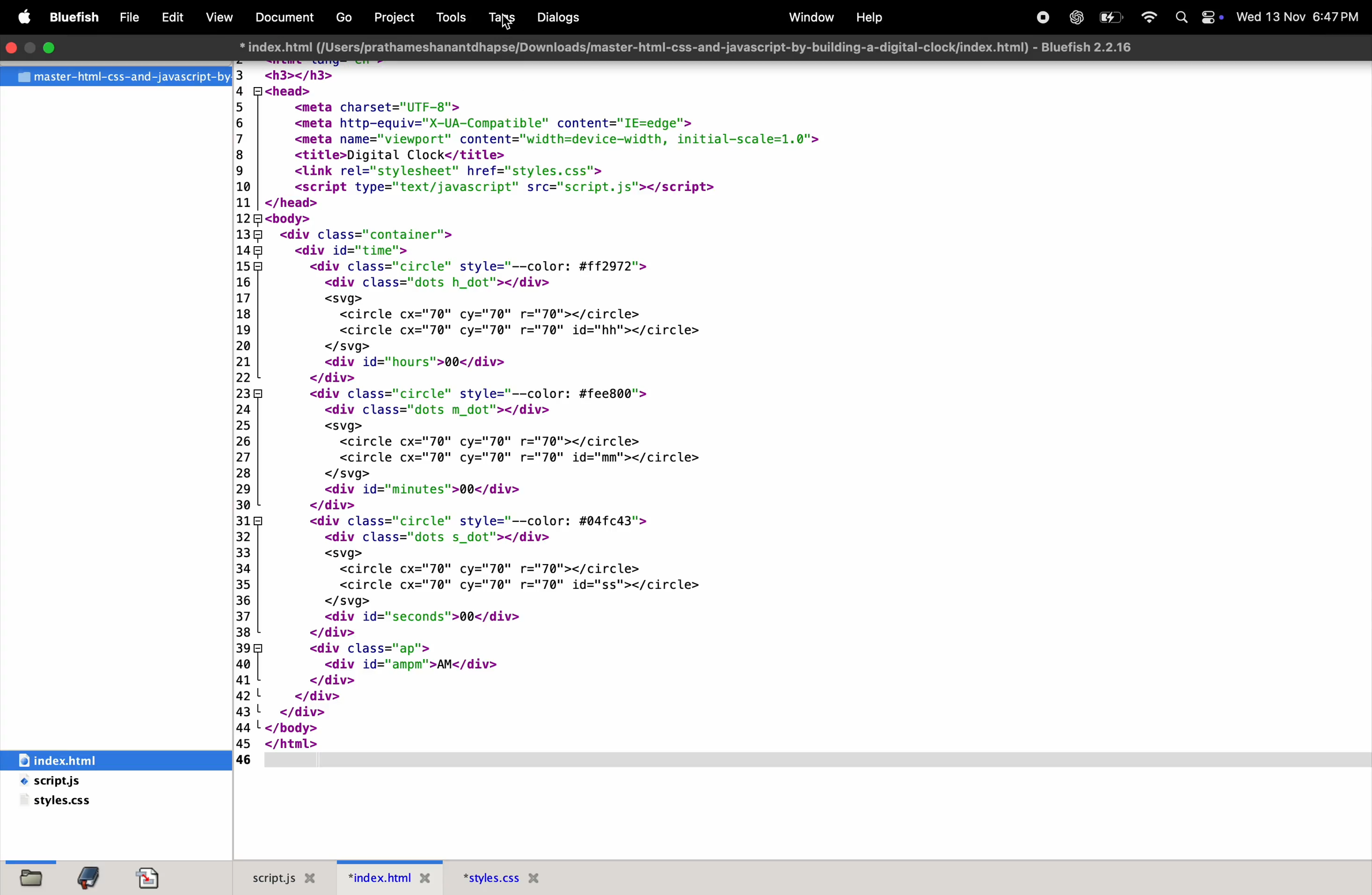  Describe the element at coordinates (156, 877) in the screenshot. I see `Snippets` at that location.